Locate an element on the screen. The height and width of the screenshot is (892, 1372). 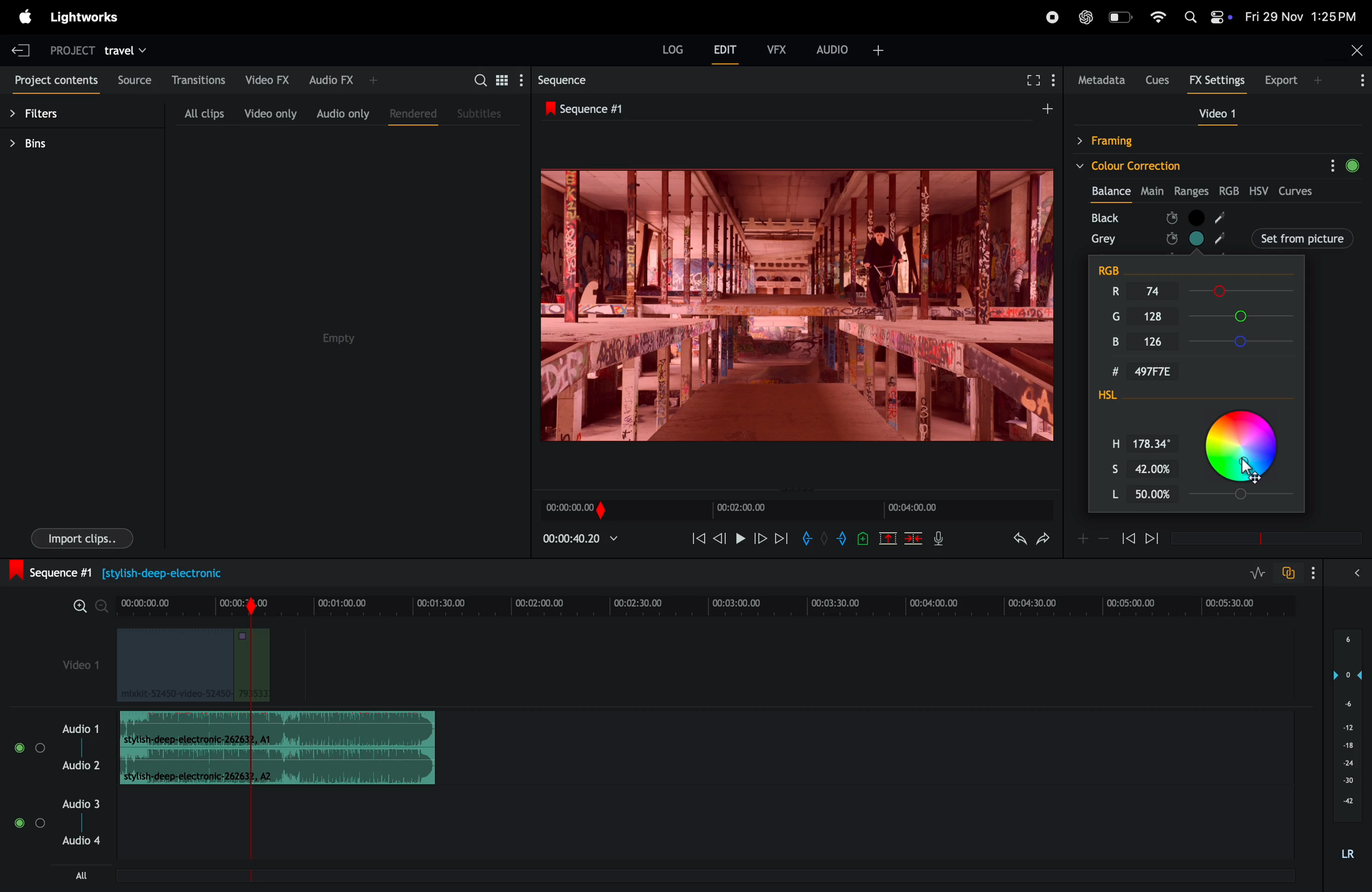
cursor is located at coordinates (1249, 467).